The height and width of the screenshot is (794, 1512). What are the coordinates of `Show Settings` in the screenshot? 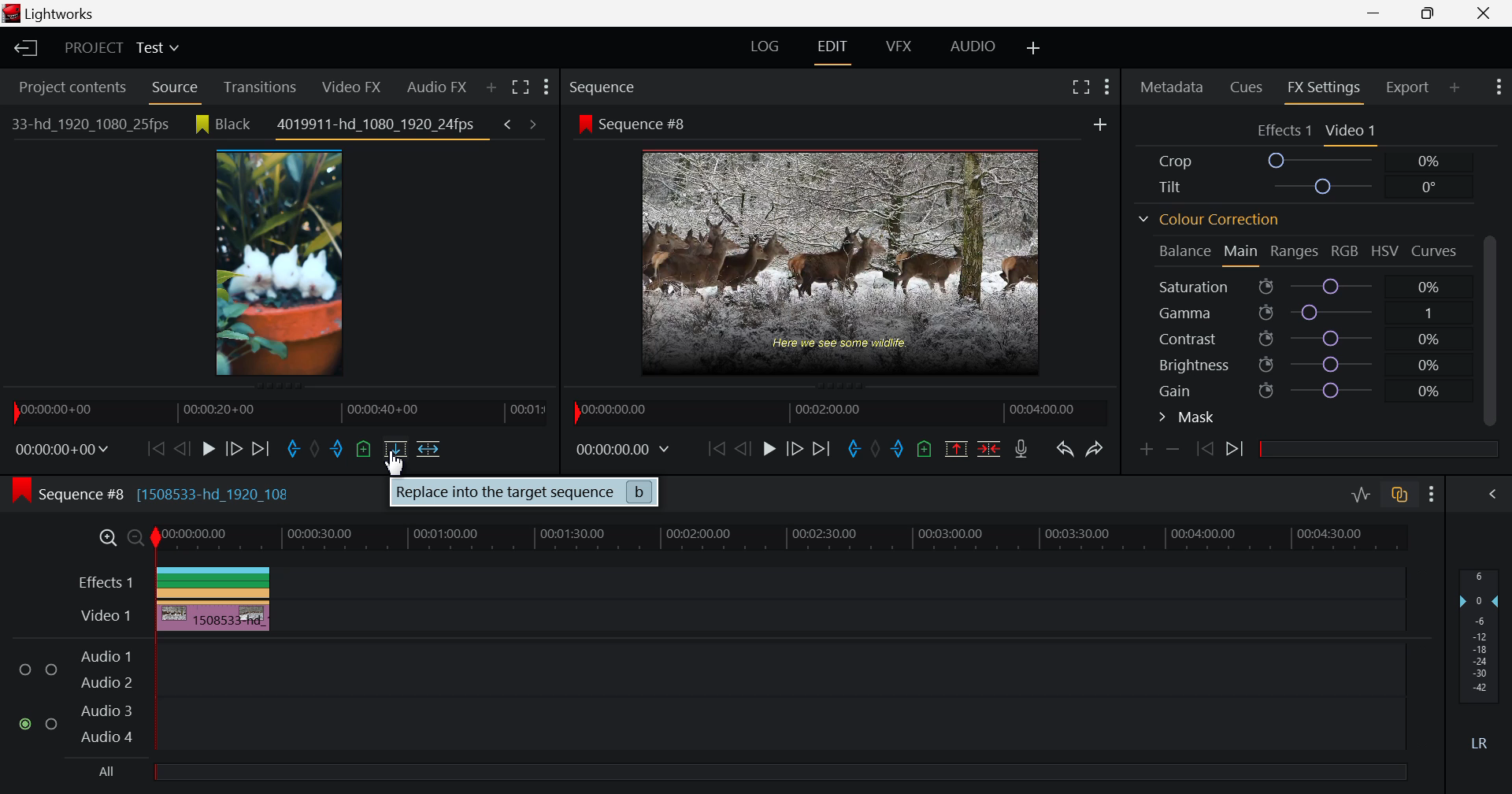 It's located at (1435, 493).